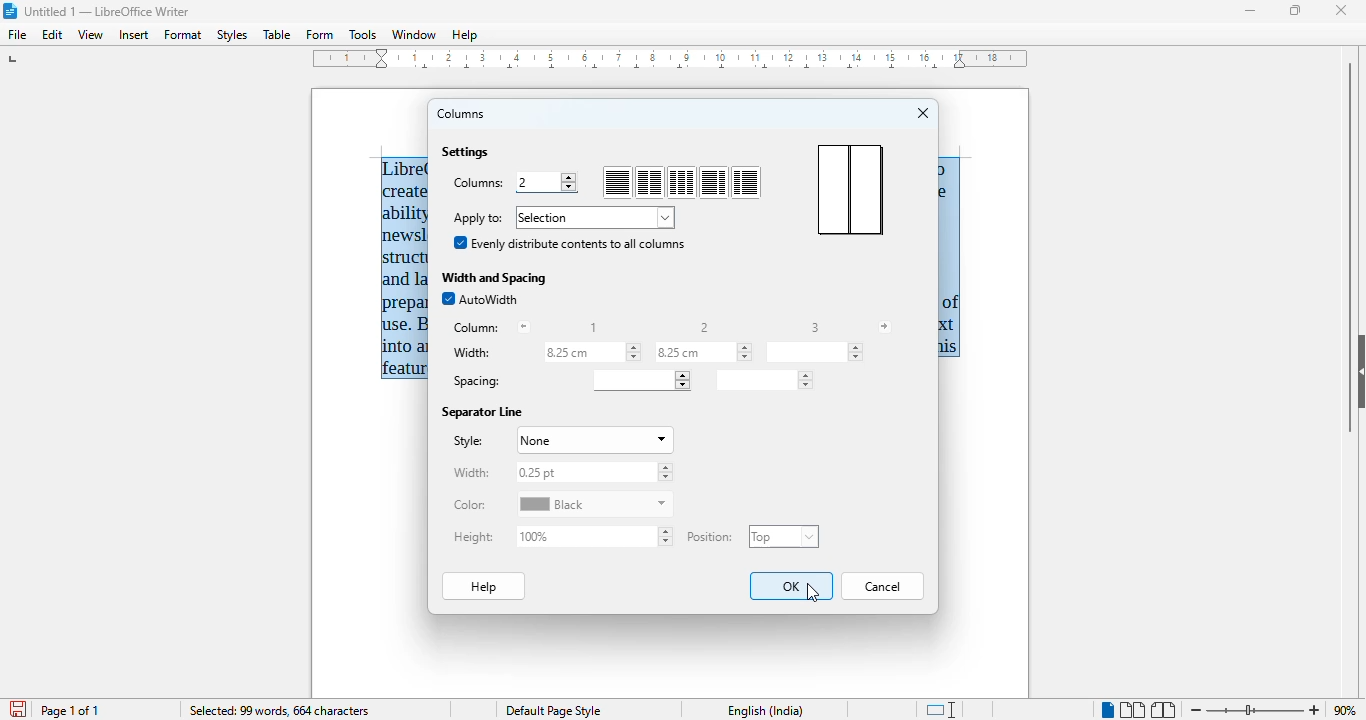  Describe the element at coordinates (524, 327) in the screenshot. I see `back arrow` at that location.